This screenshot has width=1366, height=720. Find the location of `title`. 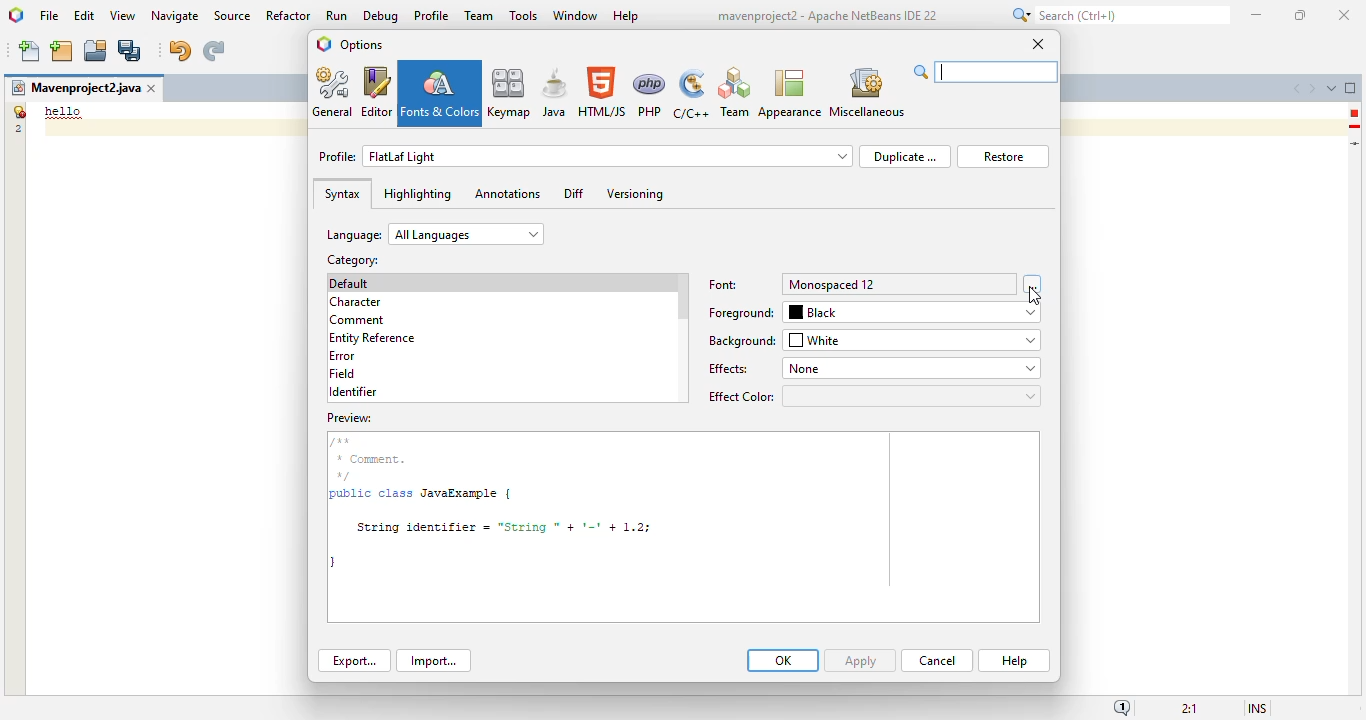

title is located at coordinates (826, 16).